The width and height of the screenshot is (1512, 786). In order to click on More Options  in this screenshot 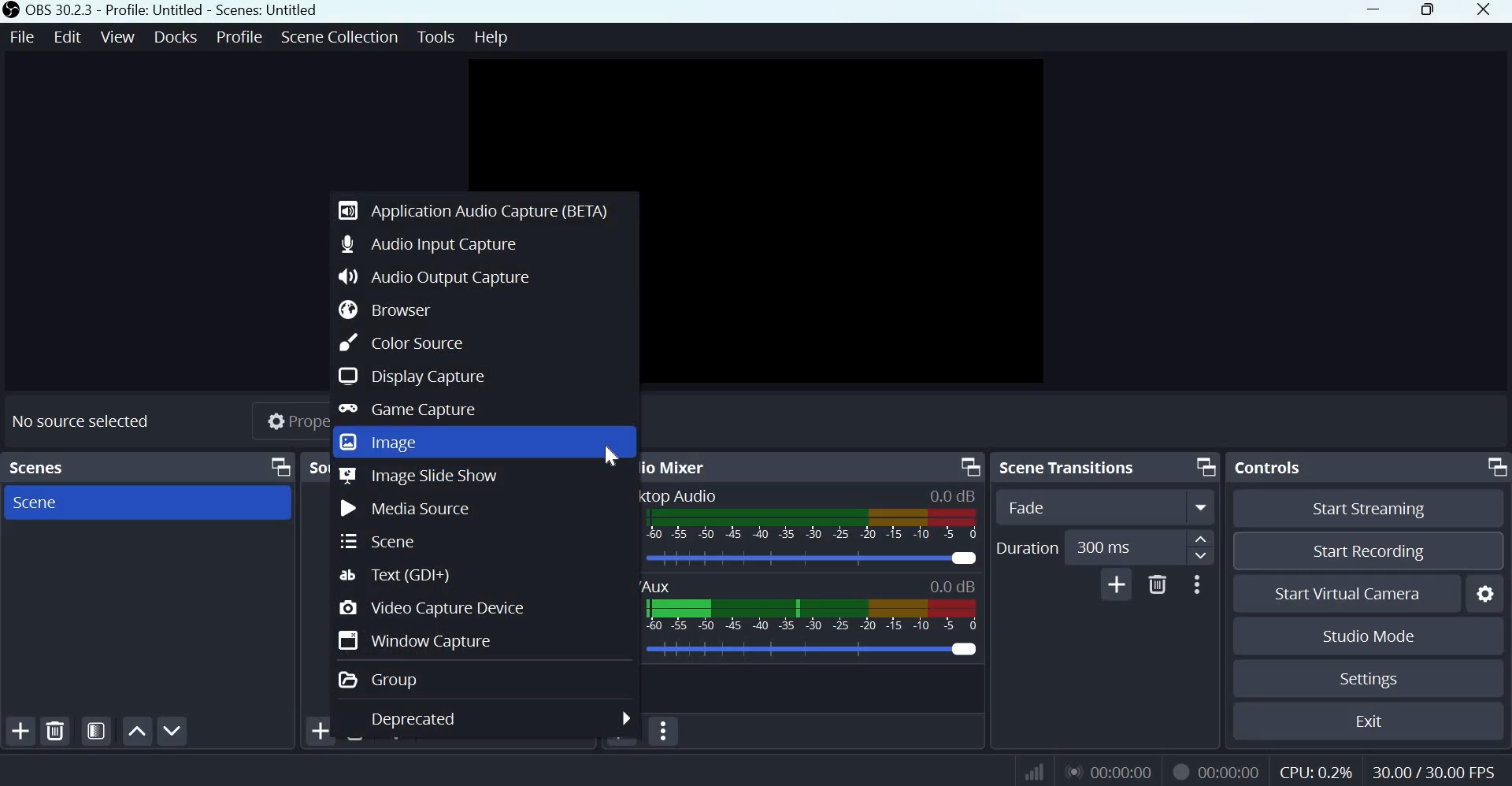, I will do `click(1196, 584)`.